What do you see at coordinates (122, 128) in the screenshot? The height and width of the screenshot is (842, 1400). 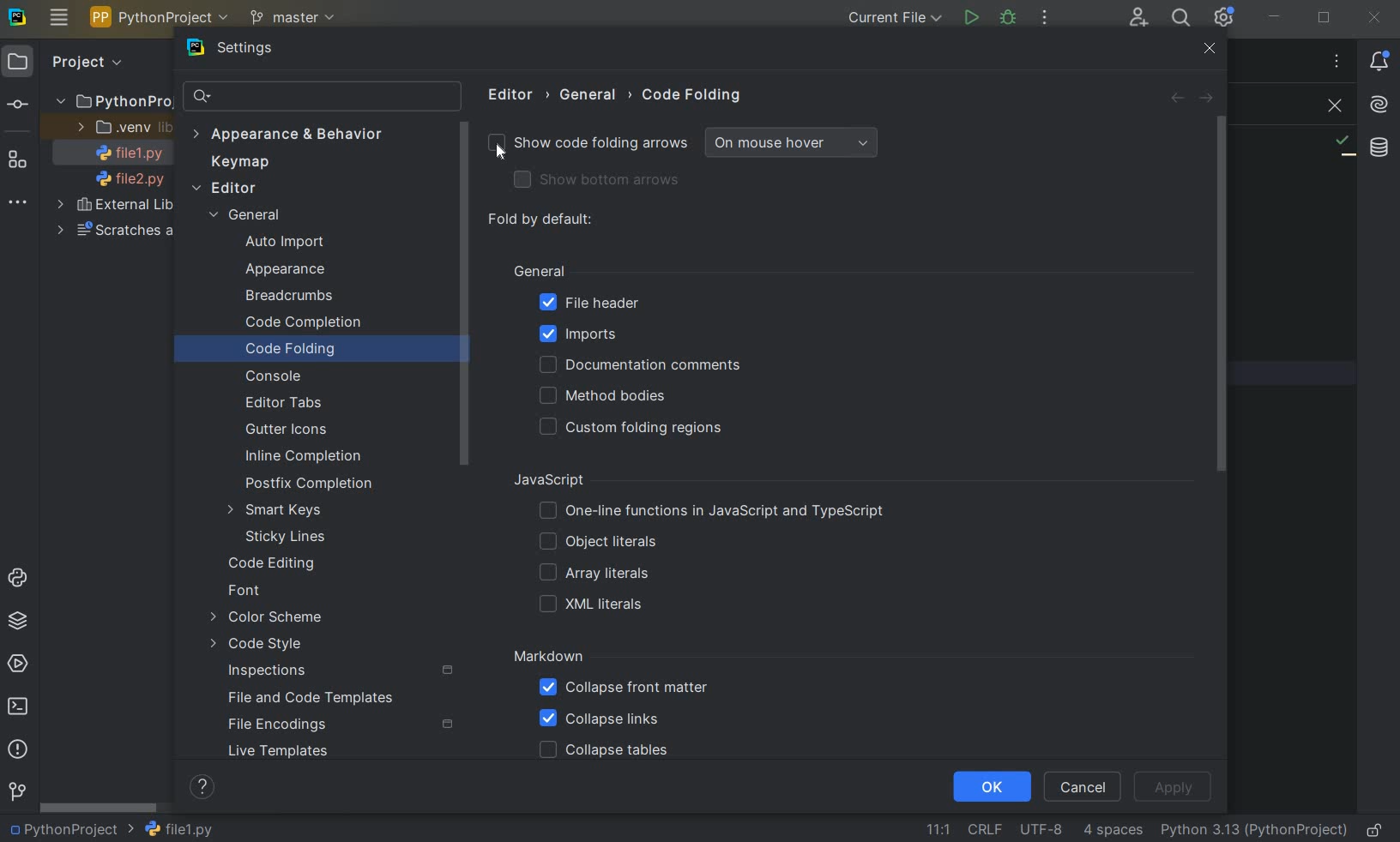 I see `.VENV` at bounding box center [122, 128].